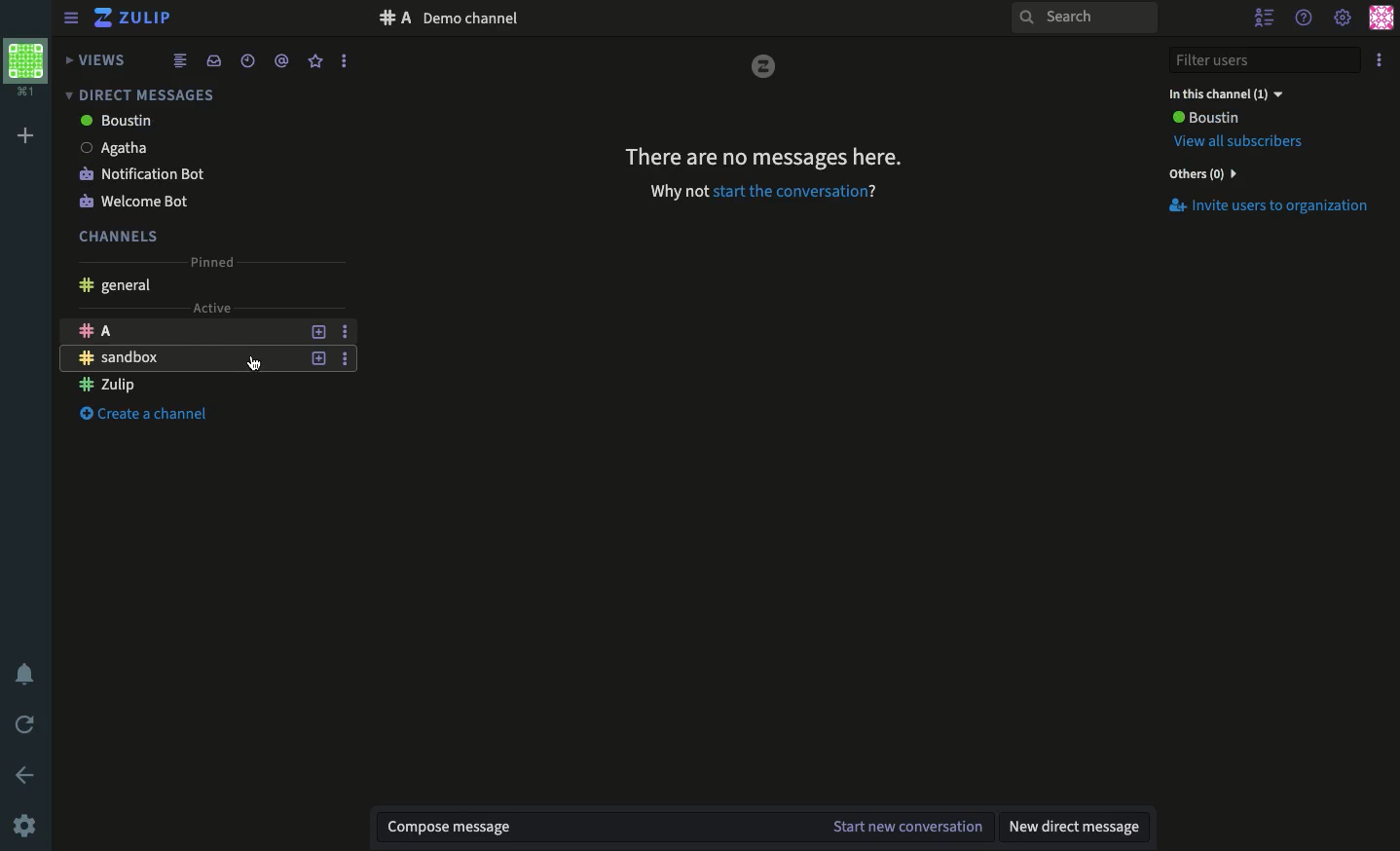 The width and height of the screenshot is (1400, 851). What do you see at coordinates (797, 194) in the screenshot?
I see `Start the conversation?` at bounding box center [797, 194].